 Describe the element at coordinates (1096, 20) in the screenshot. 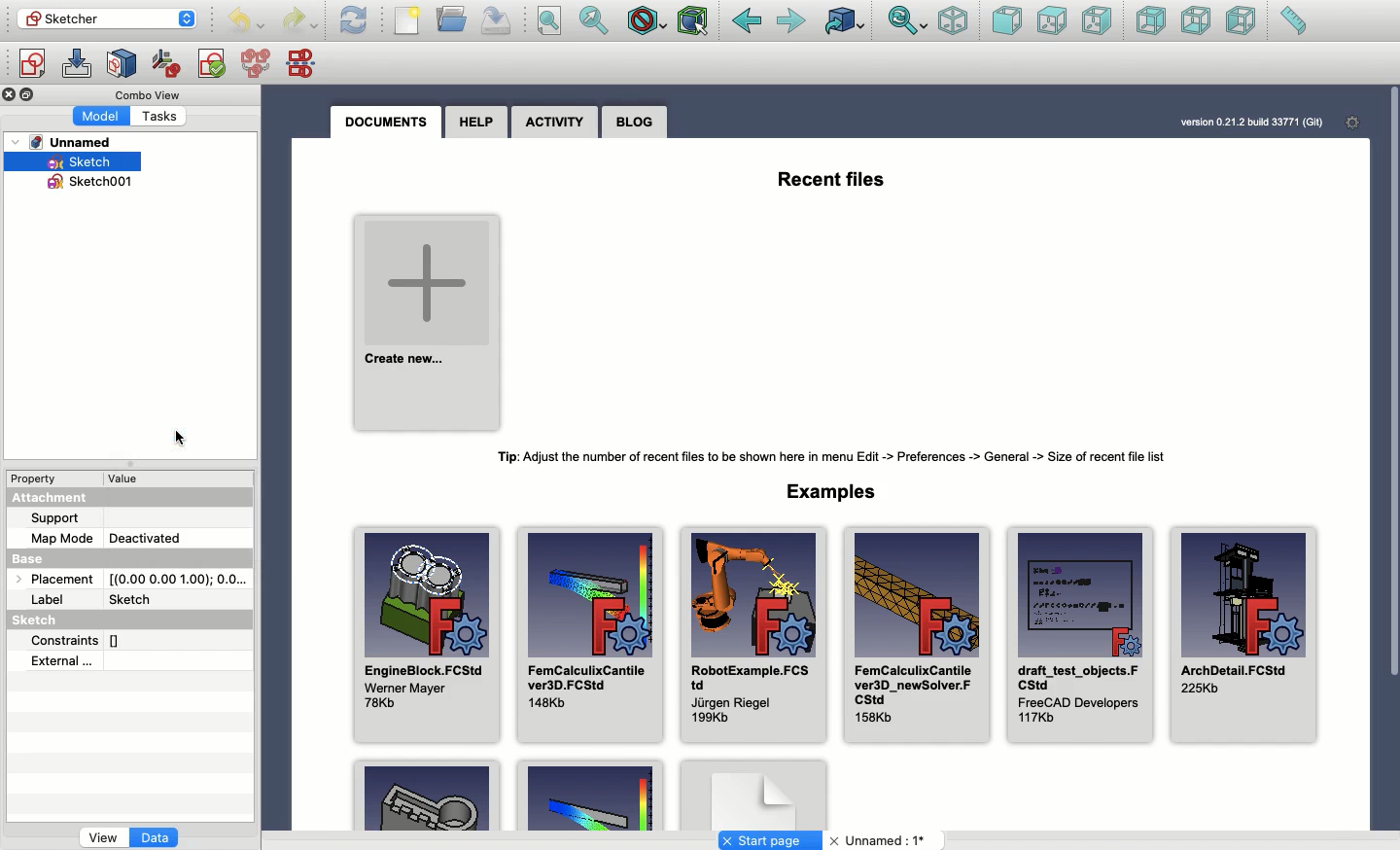

I see `Right` at that location.